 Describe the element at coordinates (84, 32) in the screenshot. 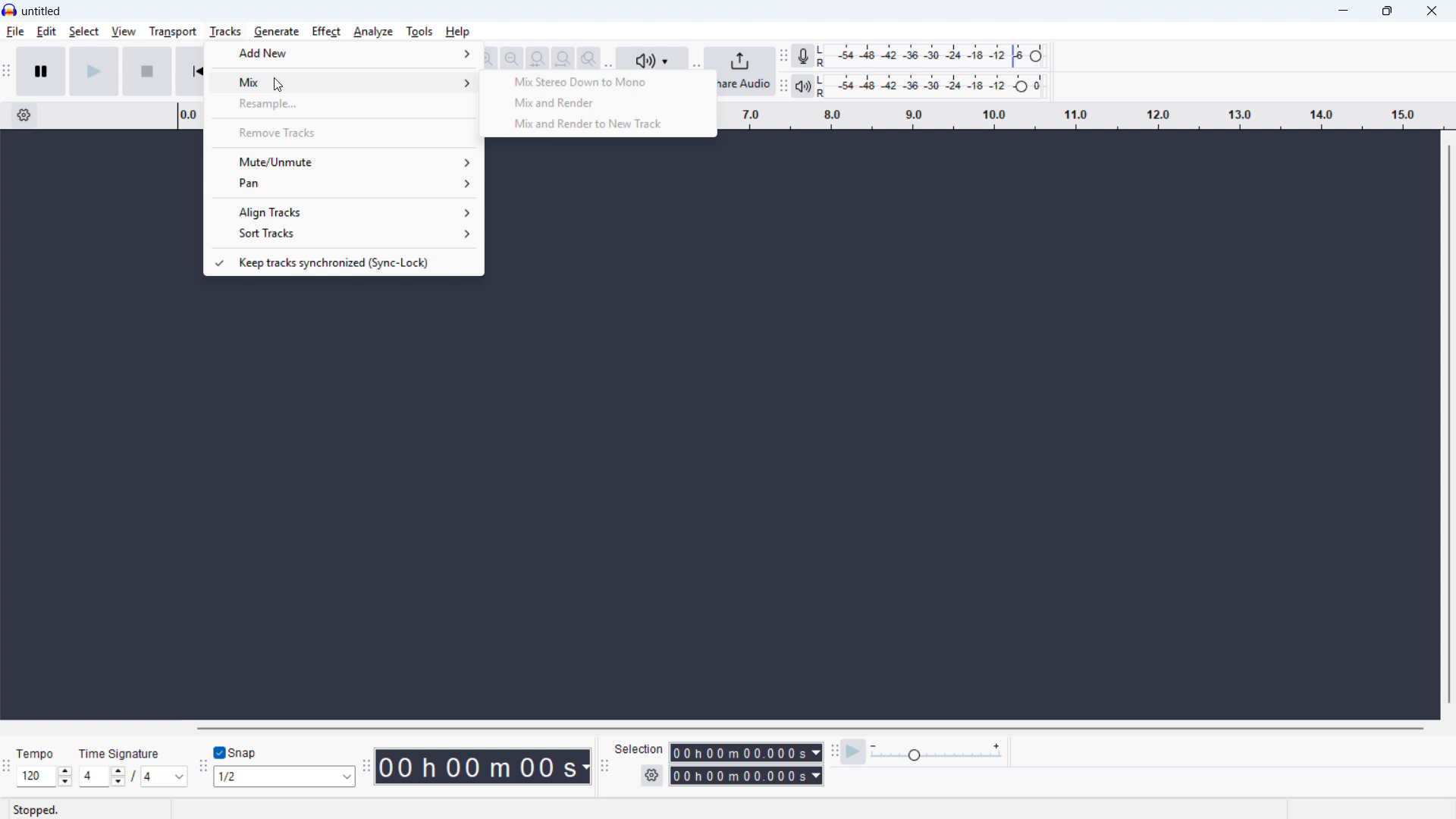

I see `select ` at that location.